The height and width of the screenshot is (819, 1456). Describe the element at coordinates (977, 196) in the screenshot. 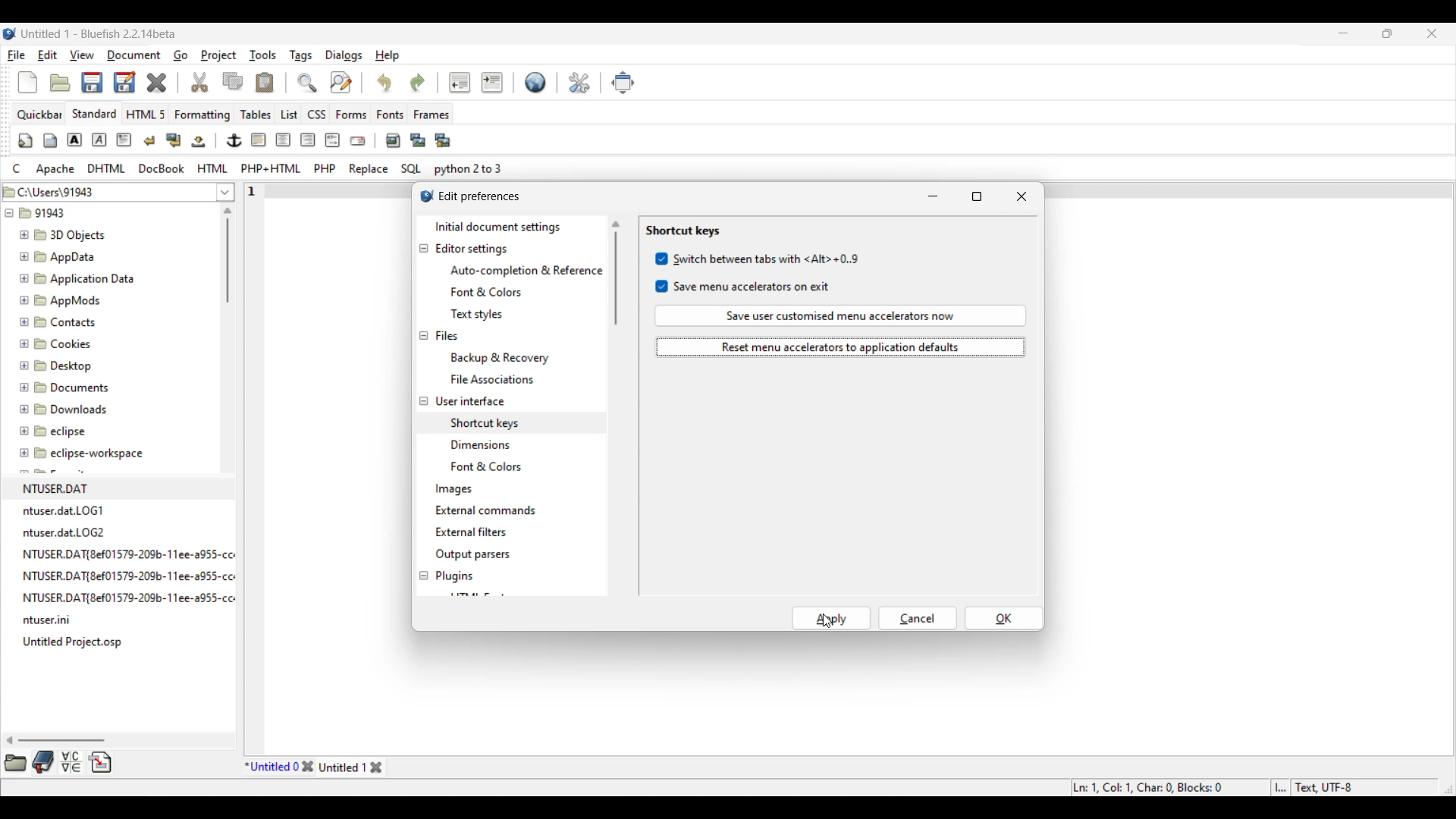

I see `Maximize` at that location.